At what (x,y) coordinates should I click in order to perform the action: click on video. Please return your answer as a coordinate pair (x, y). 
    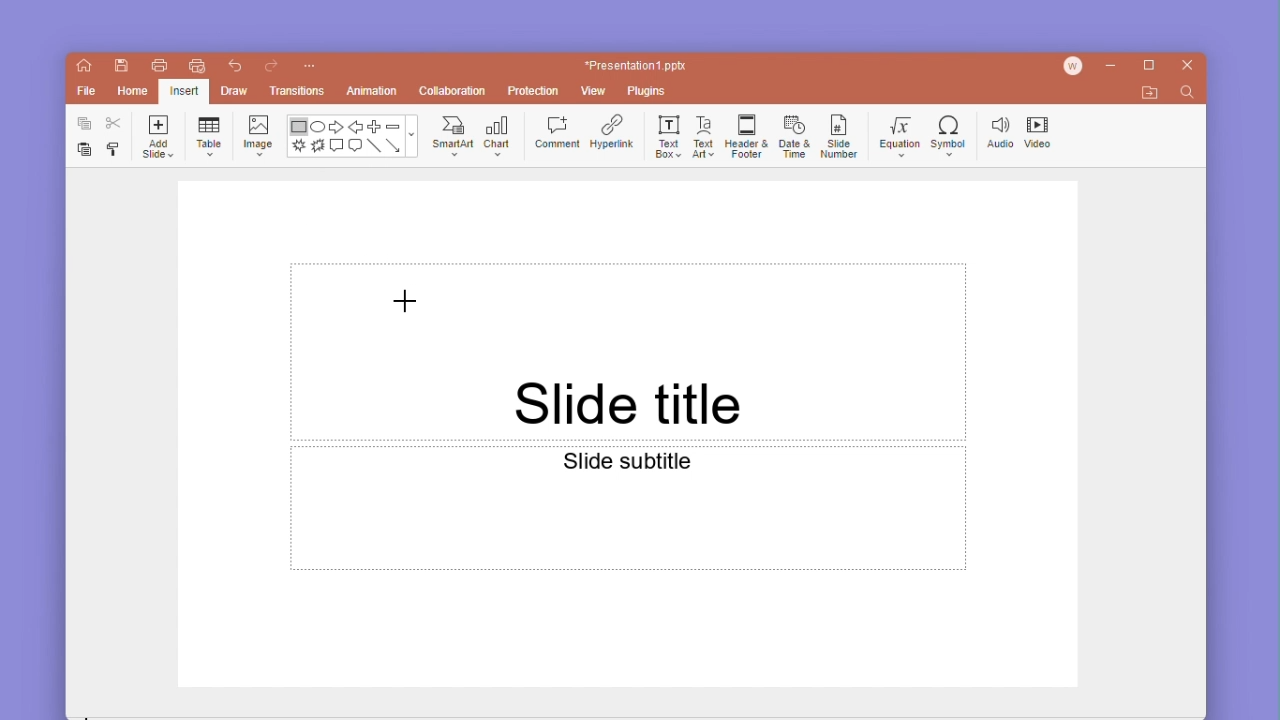
    Looking at the image, I should click on (1041, 130).